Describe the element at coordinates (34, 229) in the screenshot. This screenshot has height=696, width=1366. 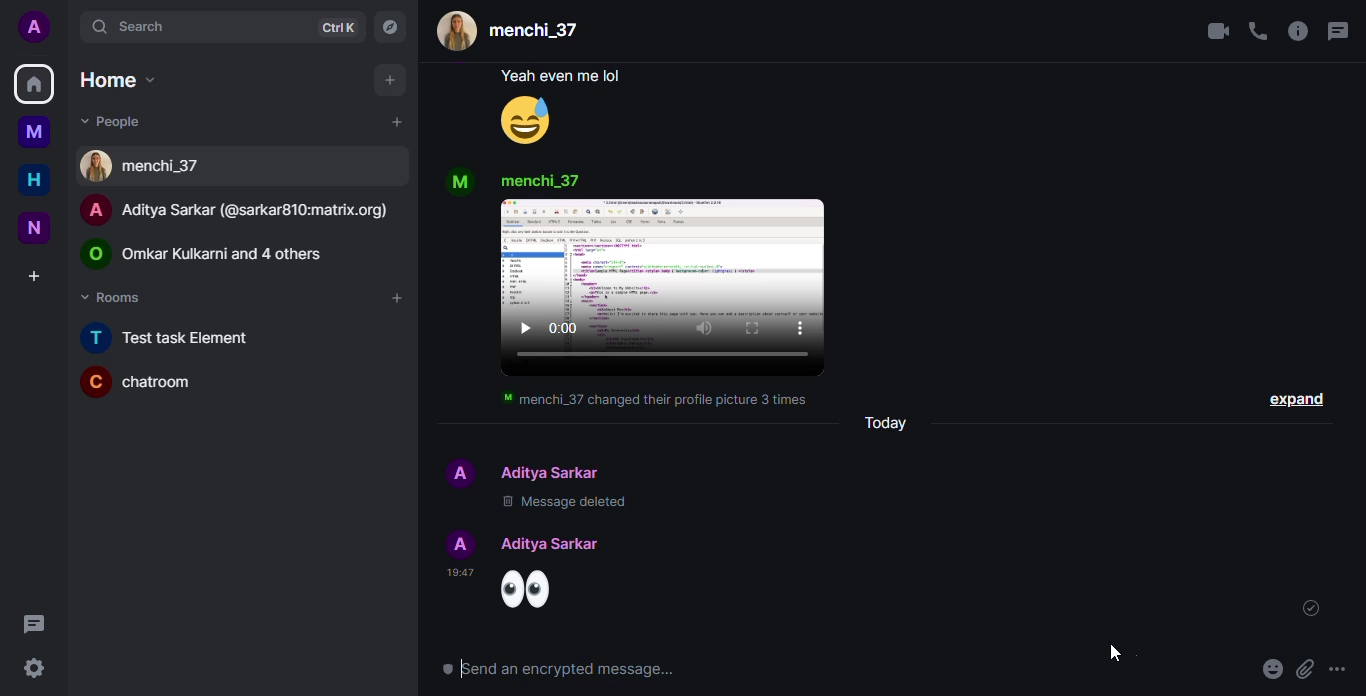
I see `new` at that location.